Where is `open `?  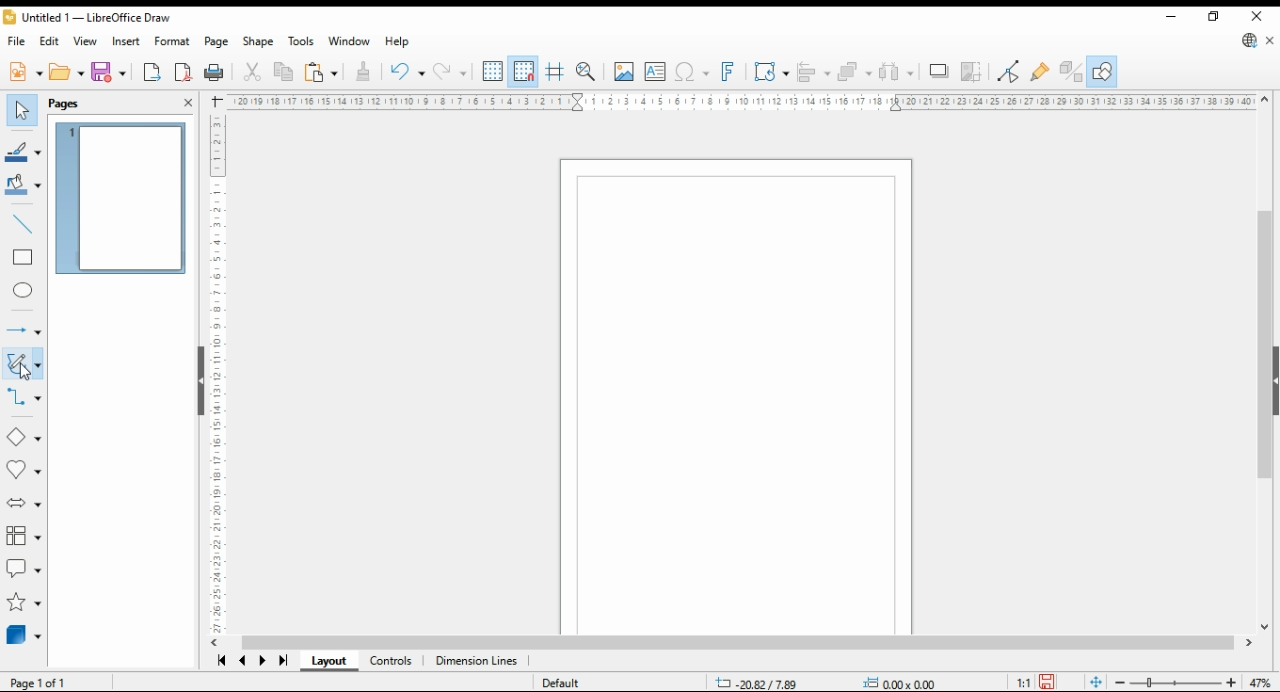 open  is located at coordinates (66, 73).